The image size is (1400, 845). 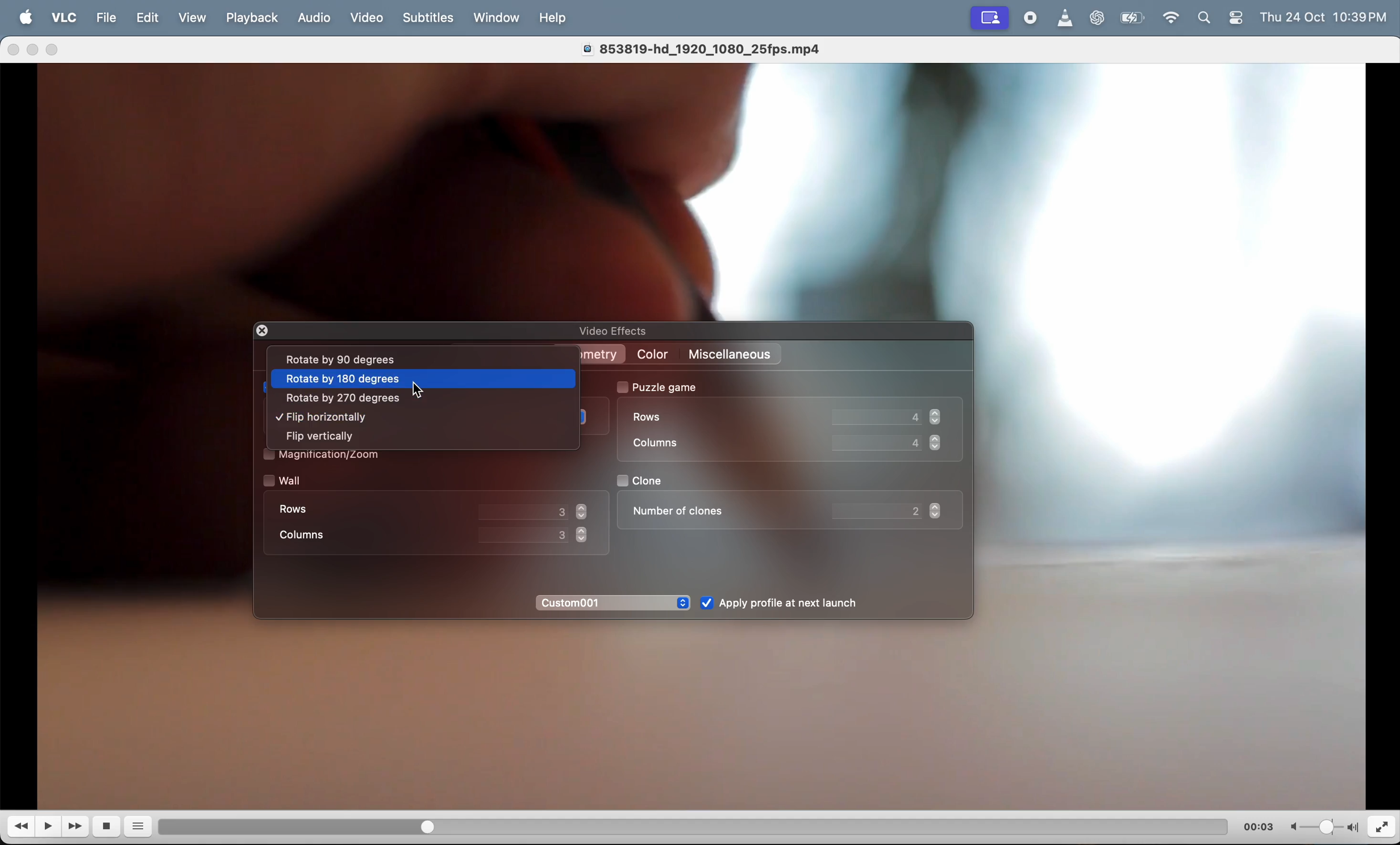 I want to click on flip vertically, so click(x=320, y=440).